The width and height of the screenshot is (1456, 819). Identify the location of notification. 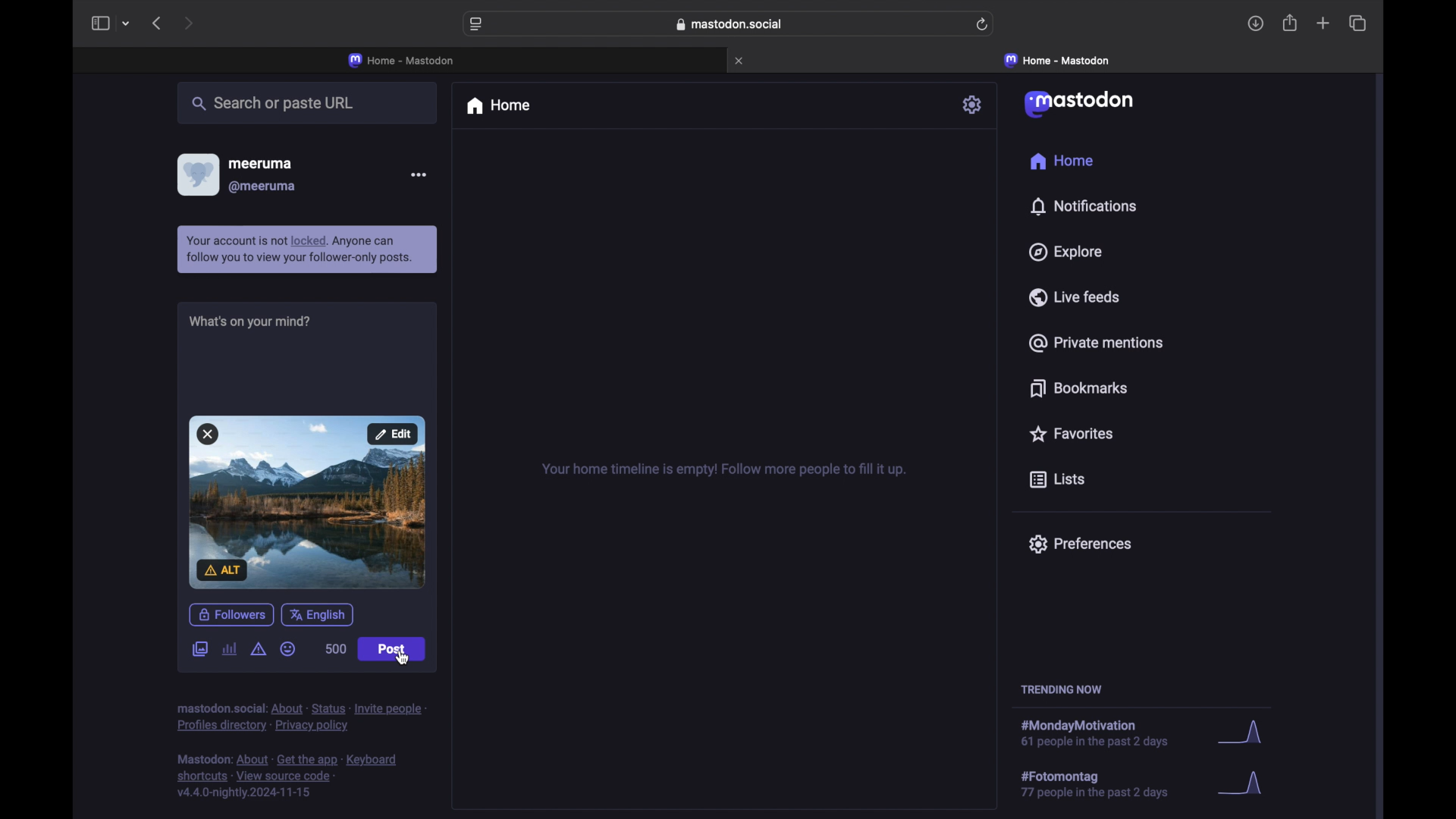
(308, 249).